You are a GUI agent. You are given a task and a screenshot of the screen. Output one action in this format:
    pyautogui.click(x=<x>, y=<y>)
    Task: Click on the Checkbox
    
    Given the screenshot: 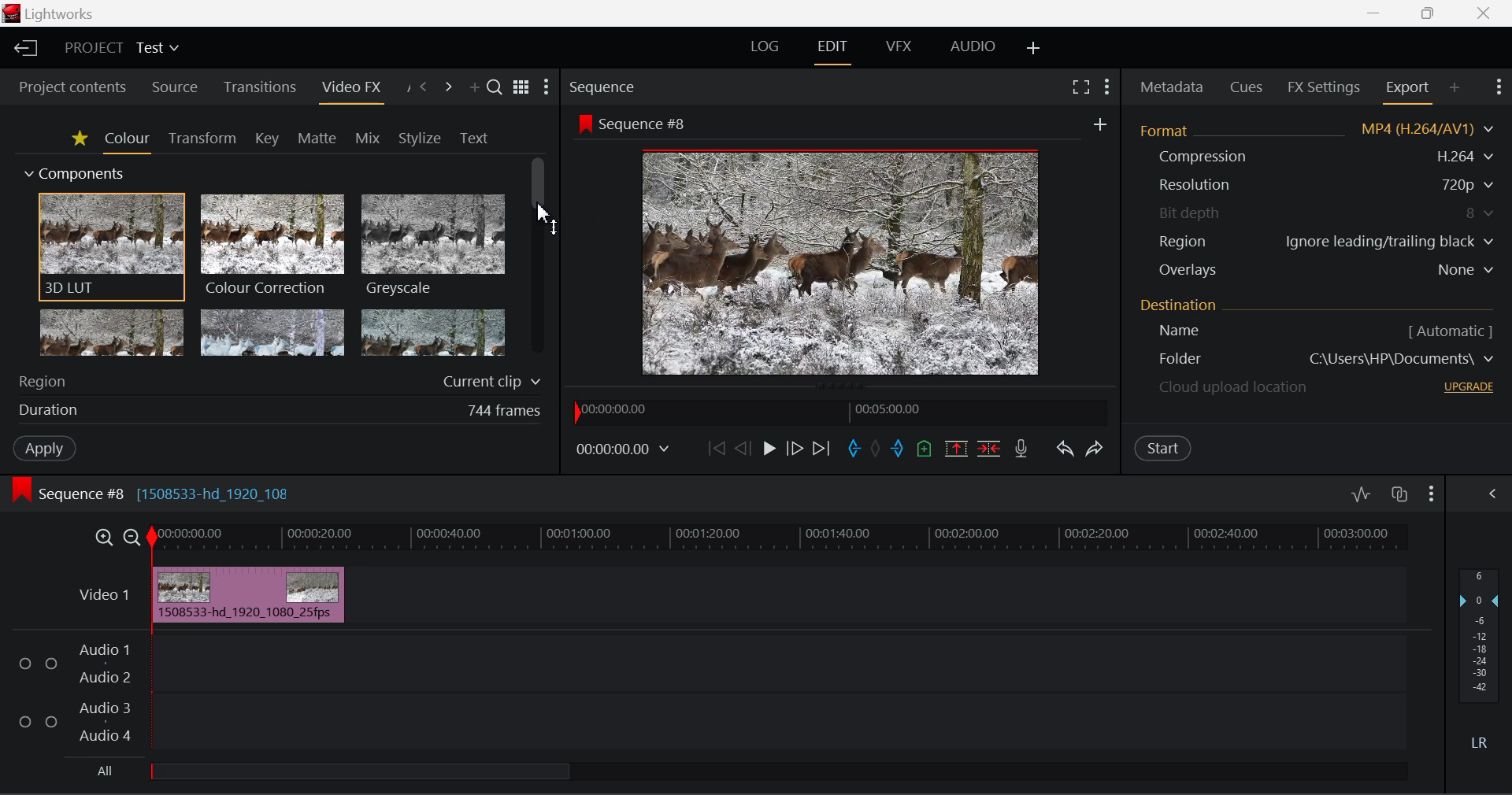 What is the action you would take?
    pyautogui.click(x=52, y=663)
    